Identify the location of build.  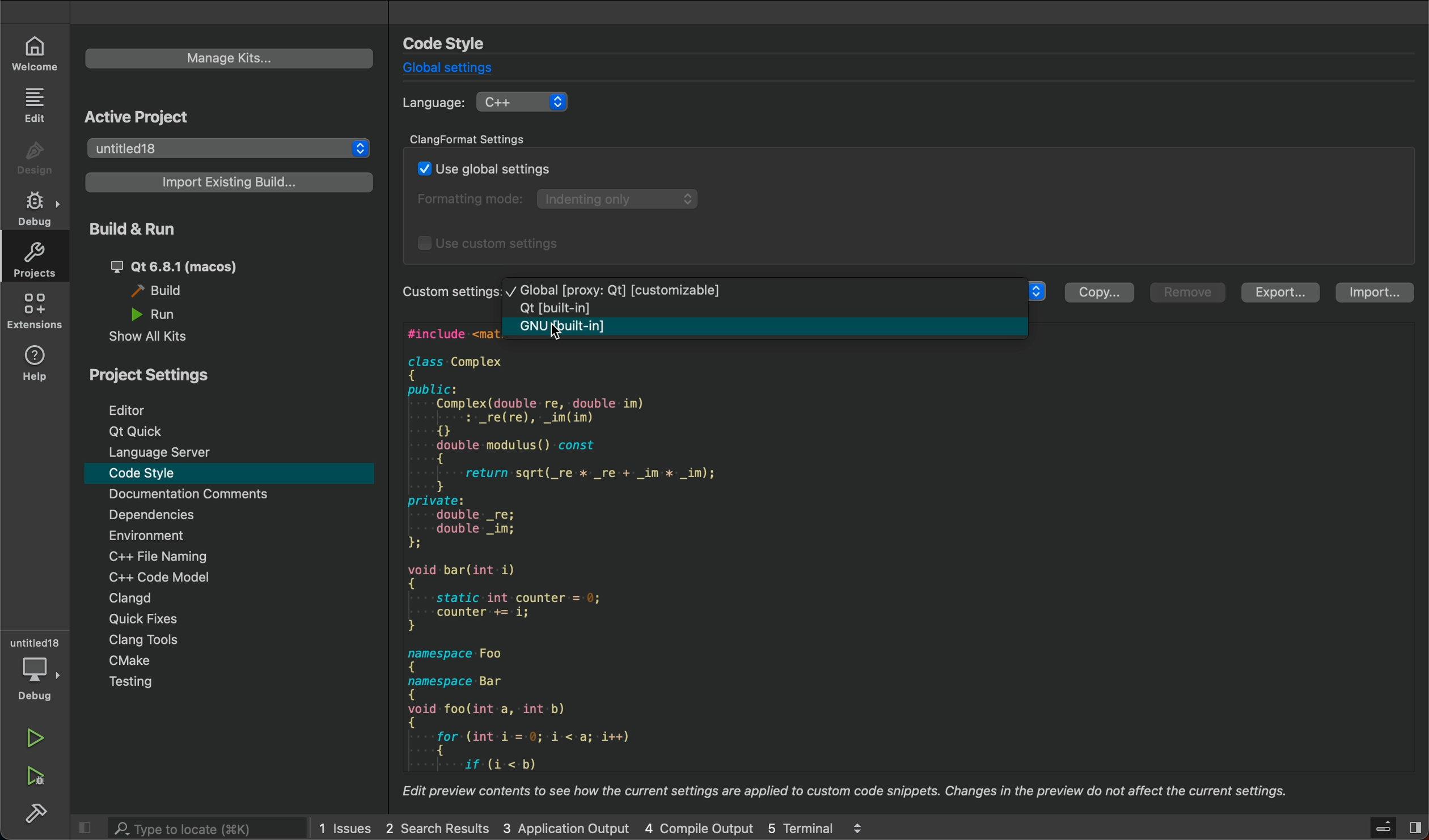
(166, 292).